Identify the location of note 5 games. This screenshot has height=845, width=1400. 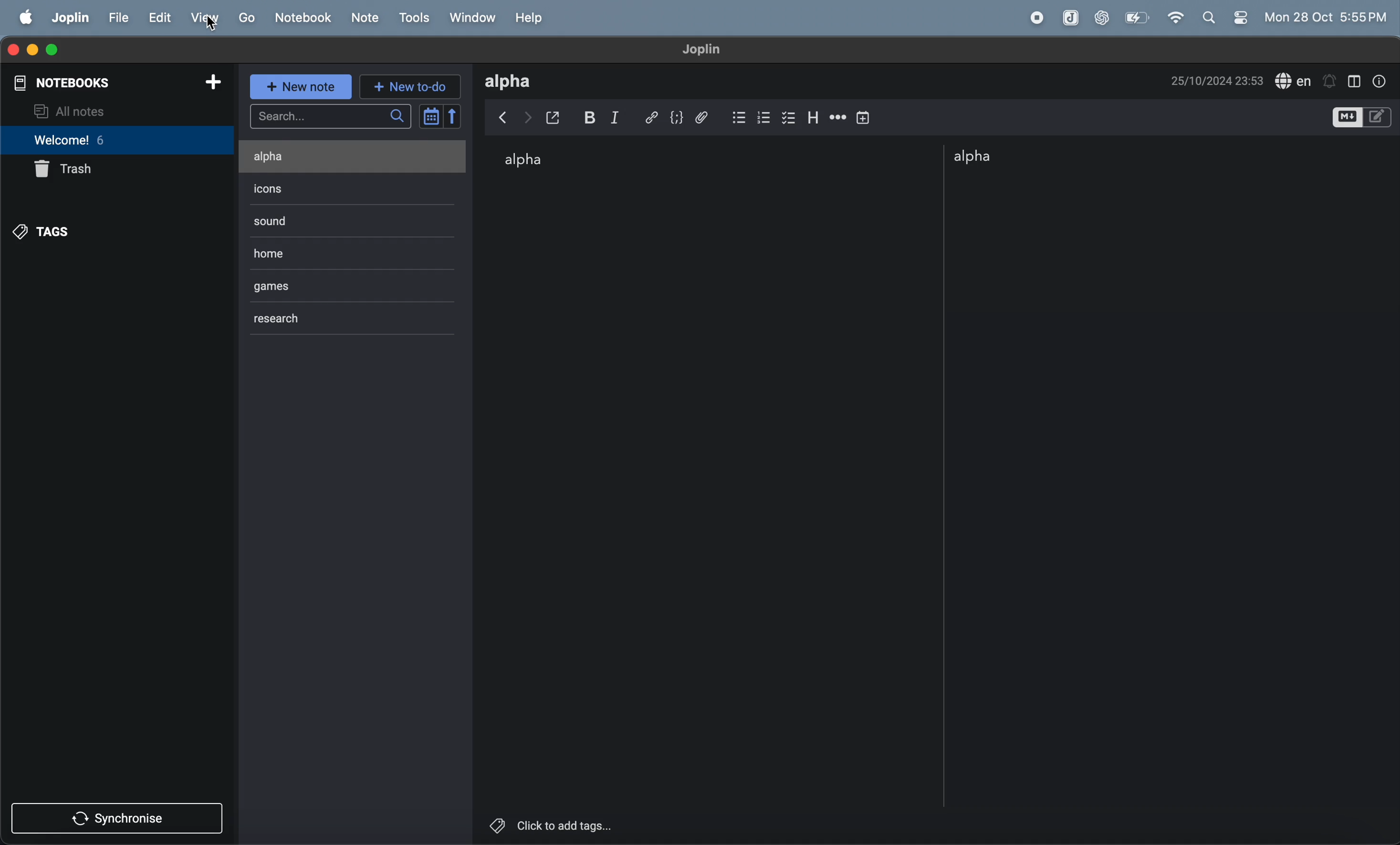
(322, 285).